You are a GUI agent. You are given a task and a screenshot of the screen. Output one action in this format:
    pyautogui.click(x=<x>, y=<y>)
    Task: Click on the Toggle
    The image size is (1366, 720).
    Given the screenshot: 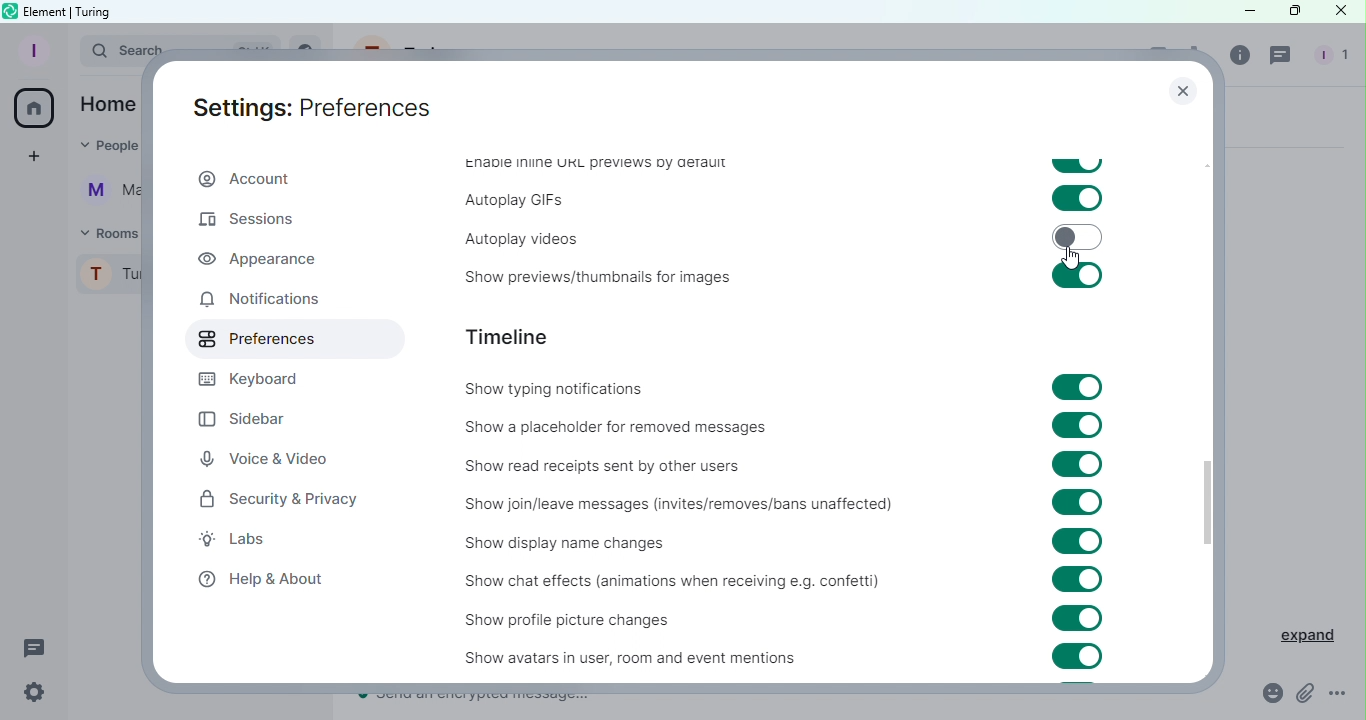 What is the action you would take?
    pyautogui.click(x=1075, y=465)
    